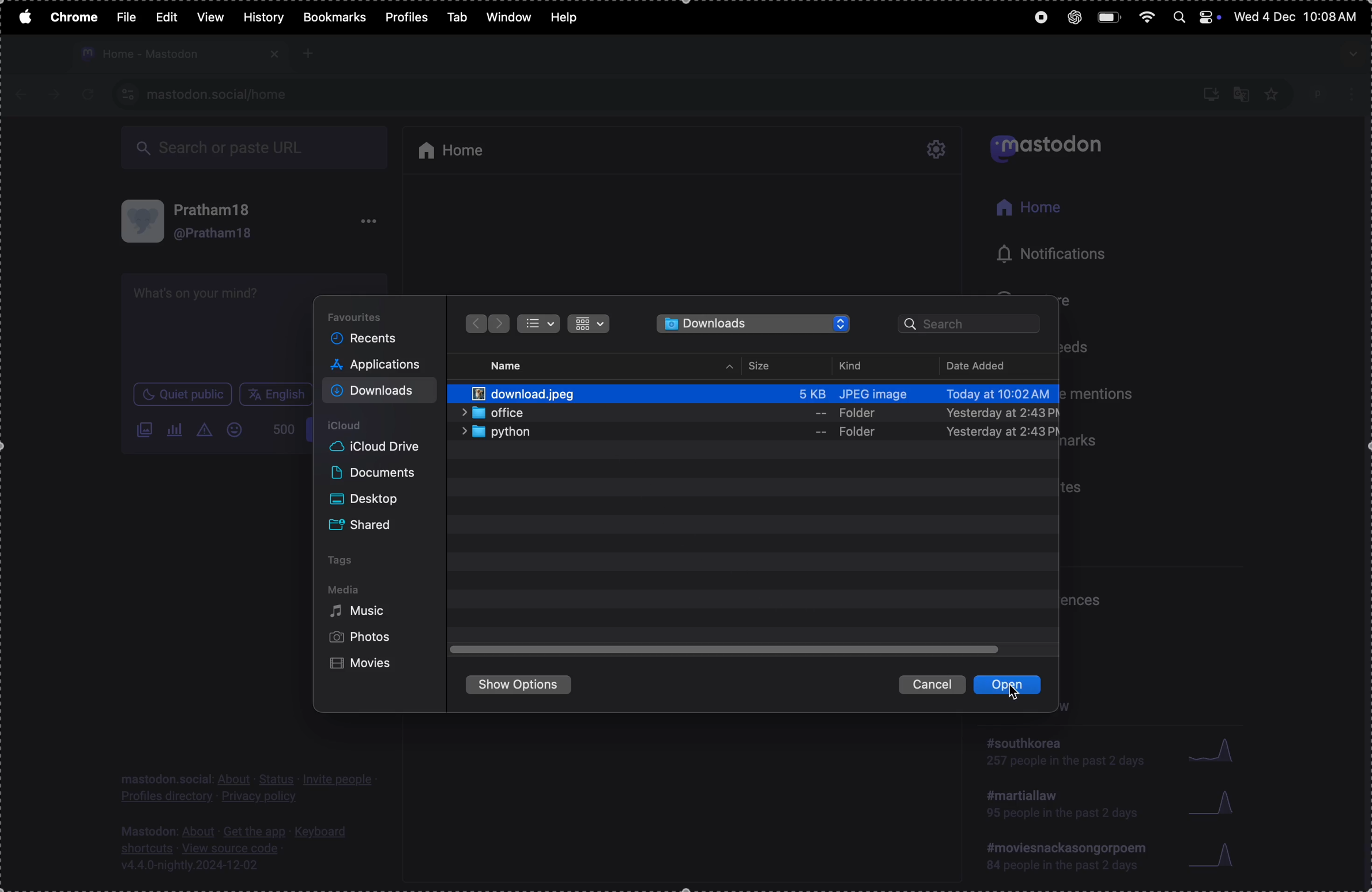 Image resolution: width=1372 pixels, height=892 pixels. What do you see at coordinates (473, 323) in the screenshot?
I see `backward` at bounding box center [473, 323].